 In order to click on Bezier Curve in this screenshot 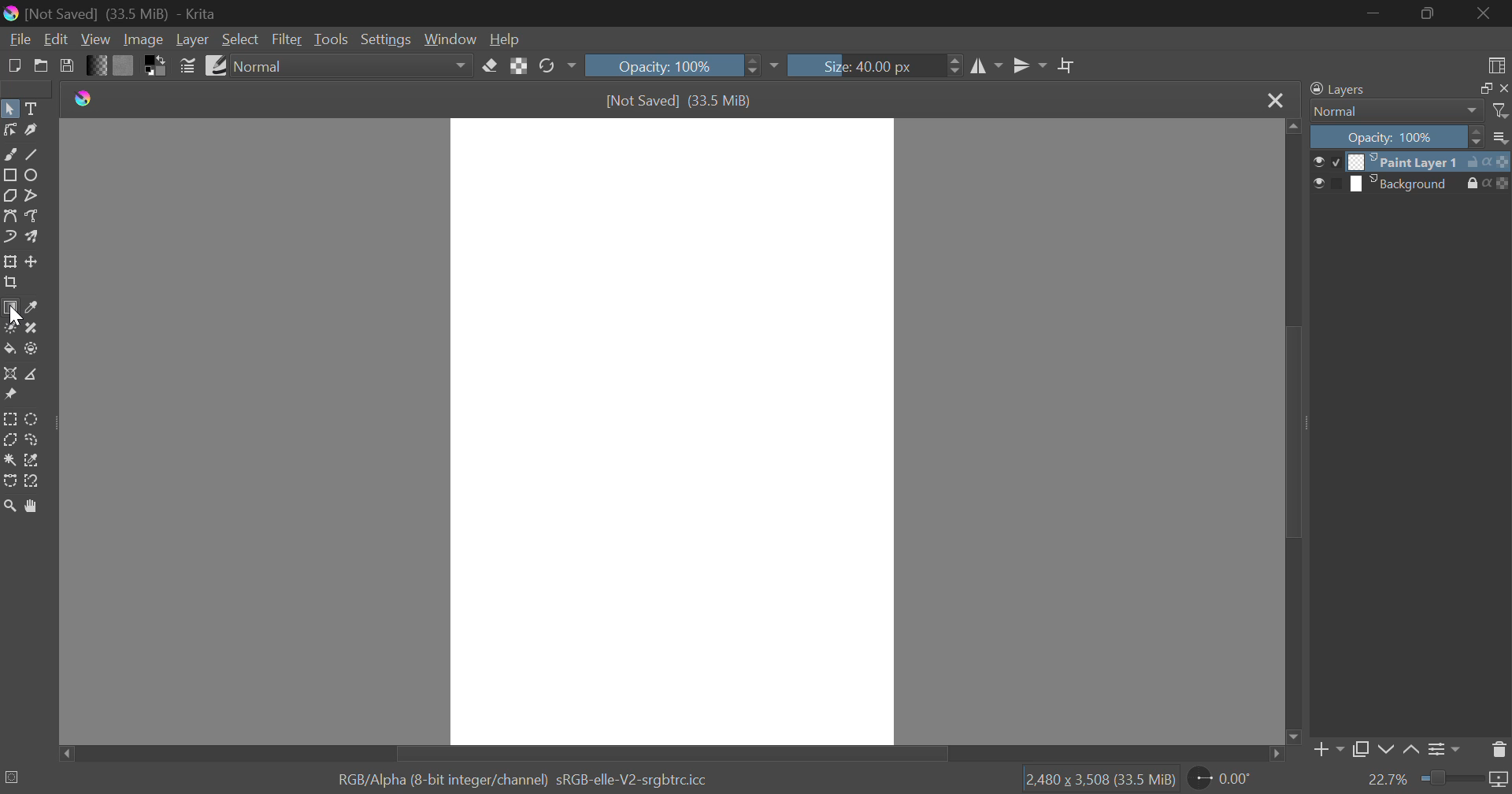, I will do `click(9, 216)`.